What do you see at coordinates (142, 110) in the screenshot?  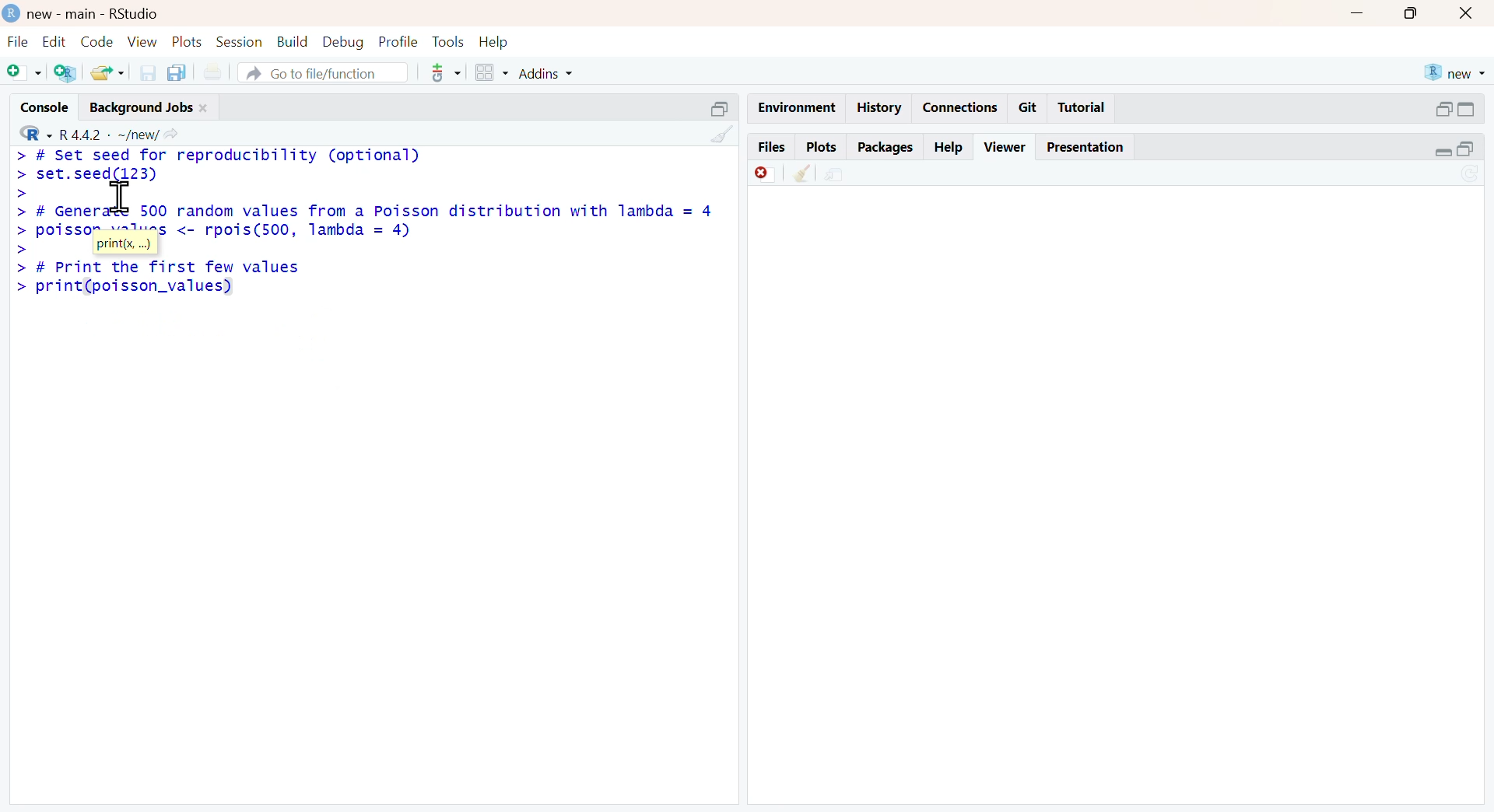 I see `Background jobs` at bounding box center [142, 110].